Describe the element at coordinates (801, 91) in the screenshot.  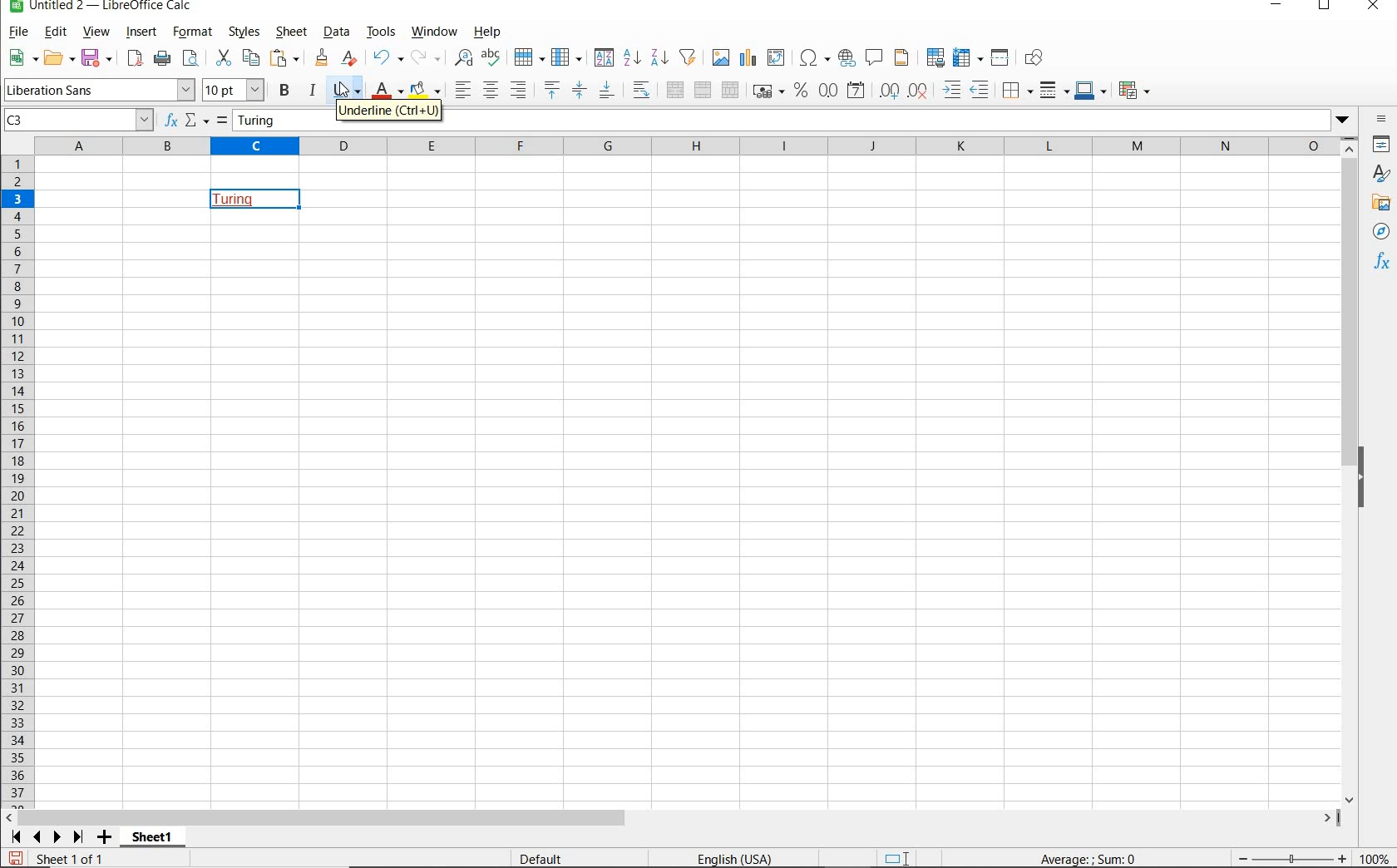
I see `FORMAT AS PERCENT` at that location.